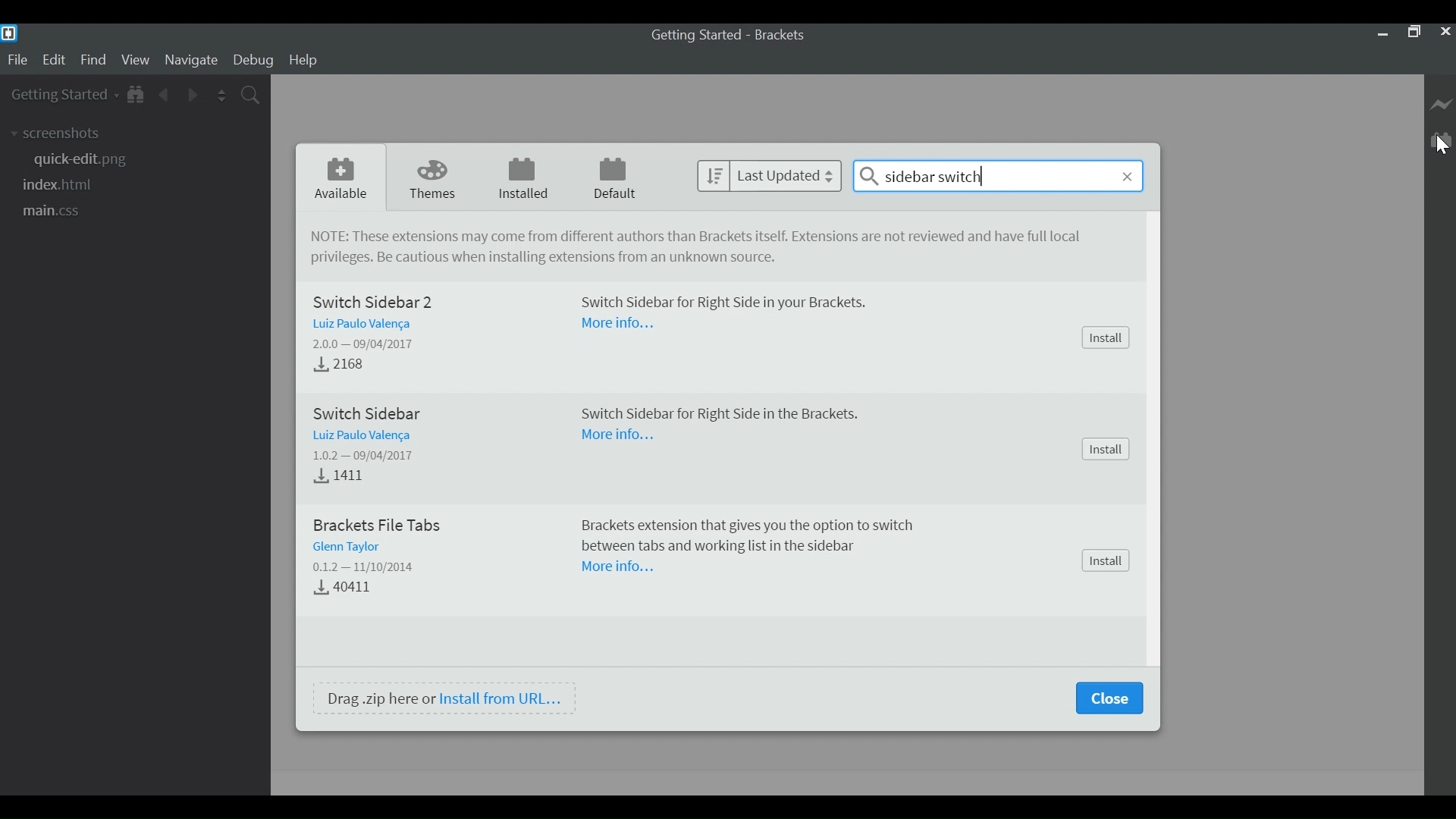  I want to click on Author, so click(367, 435).